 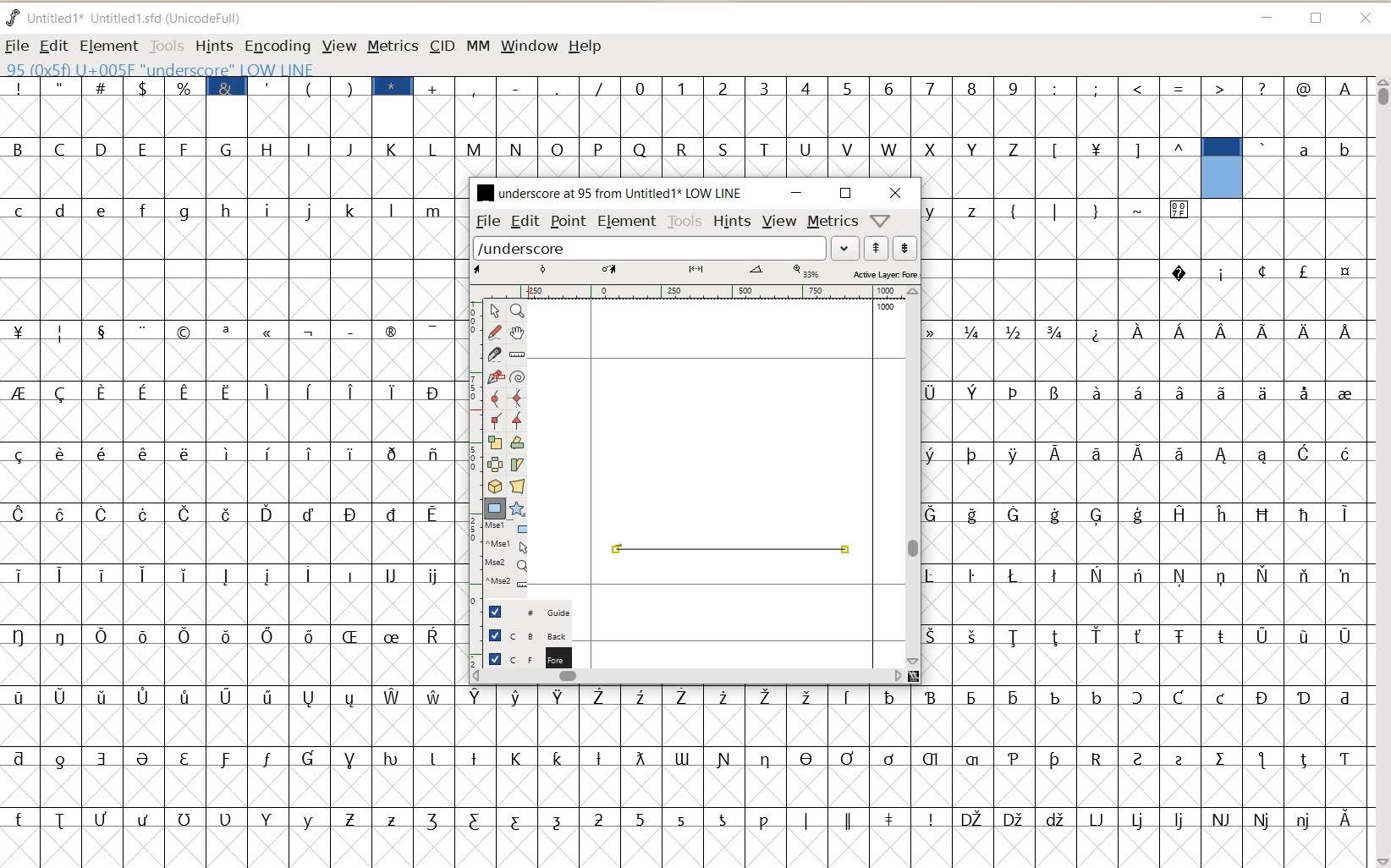 I want to click on HINTS, so click(x=213, y=46).